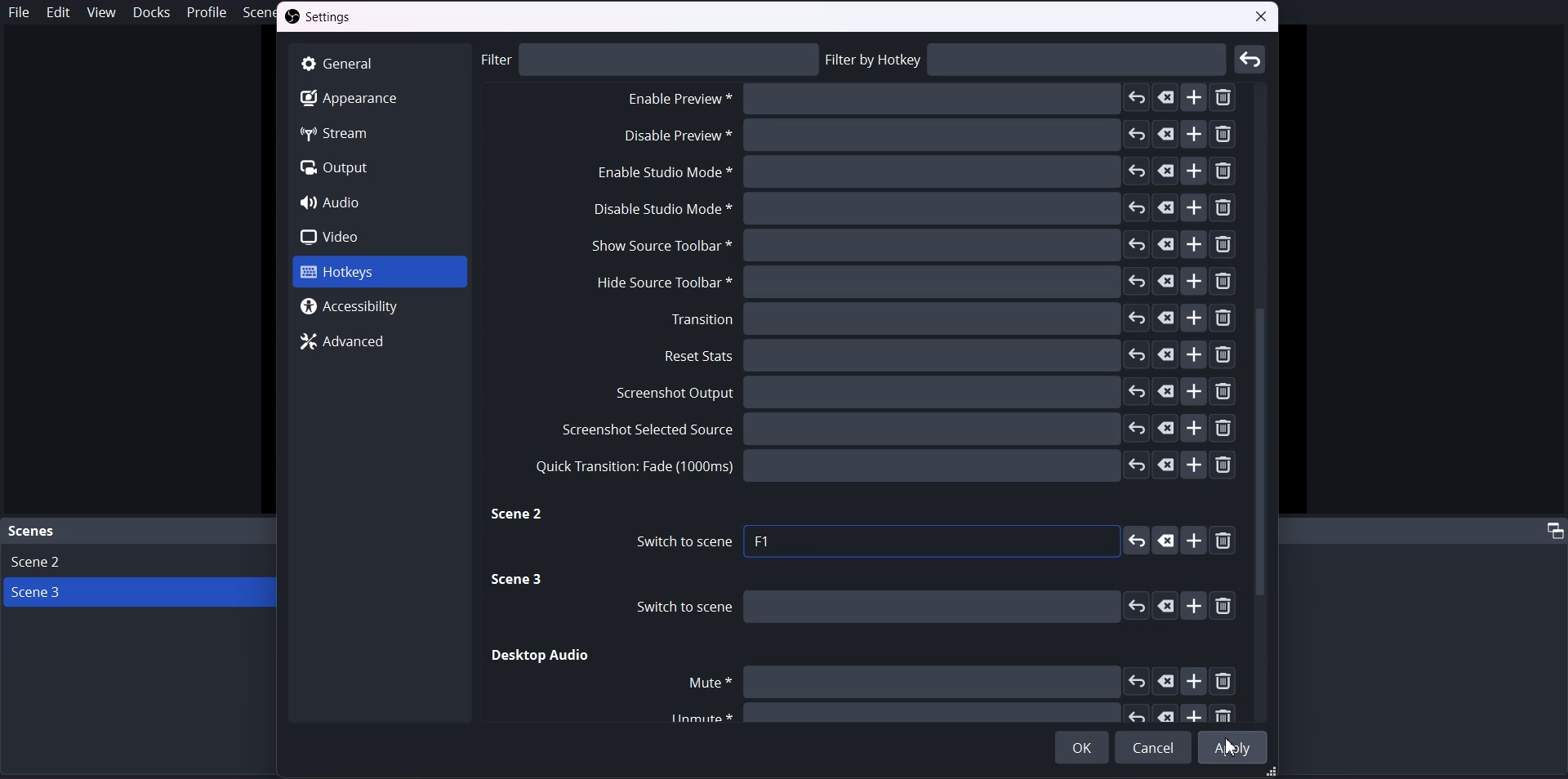  I want to click on Switch to scene, so click(924, 607).